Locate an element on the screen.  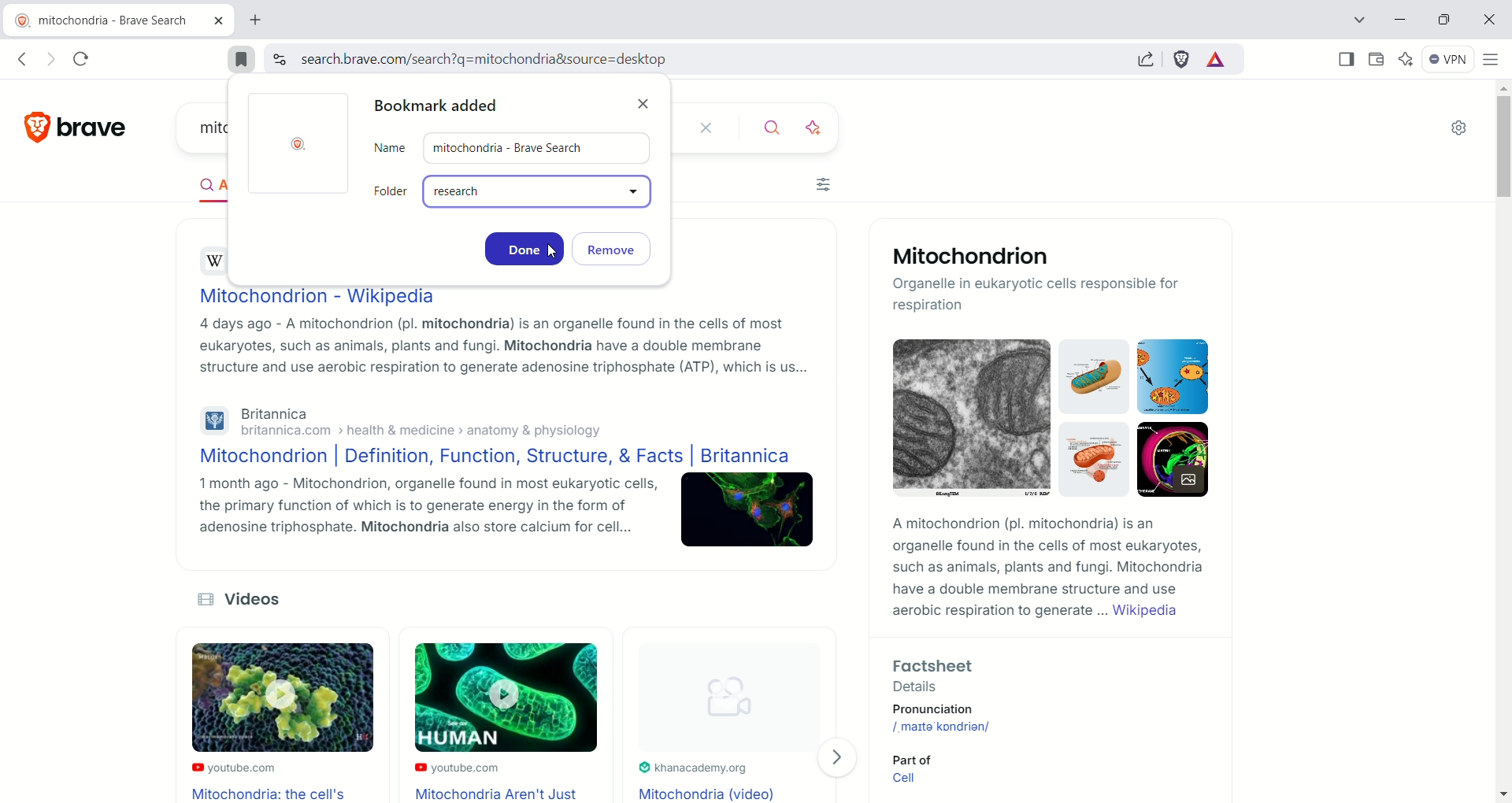
name is located at coordinates (514, 148).